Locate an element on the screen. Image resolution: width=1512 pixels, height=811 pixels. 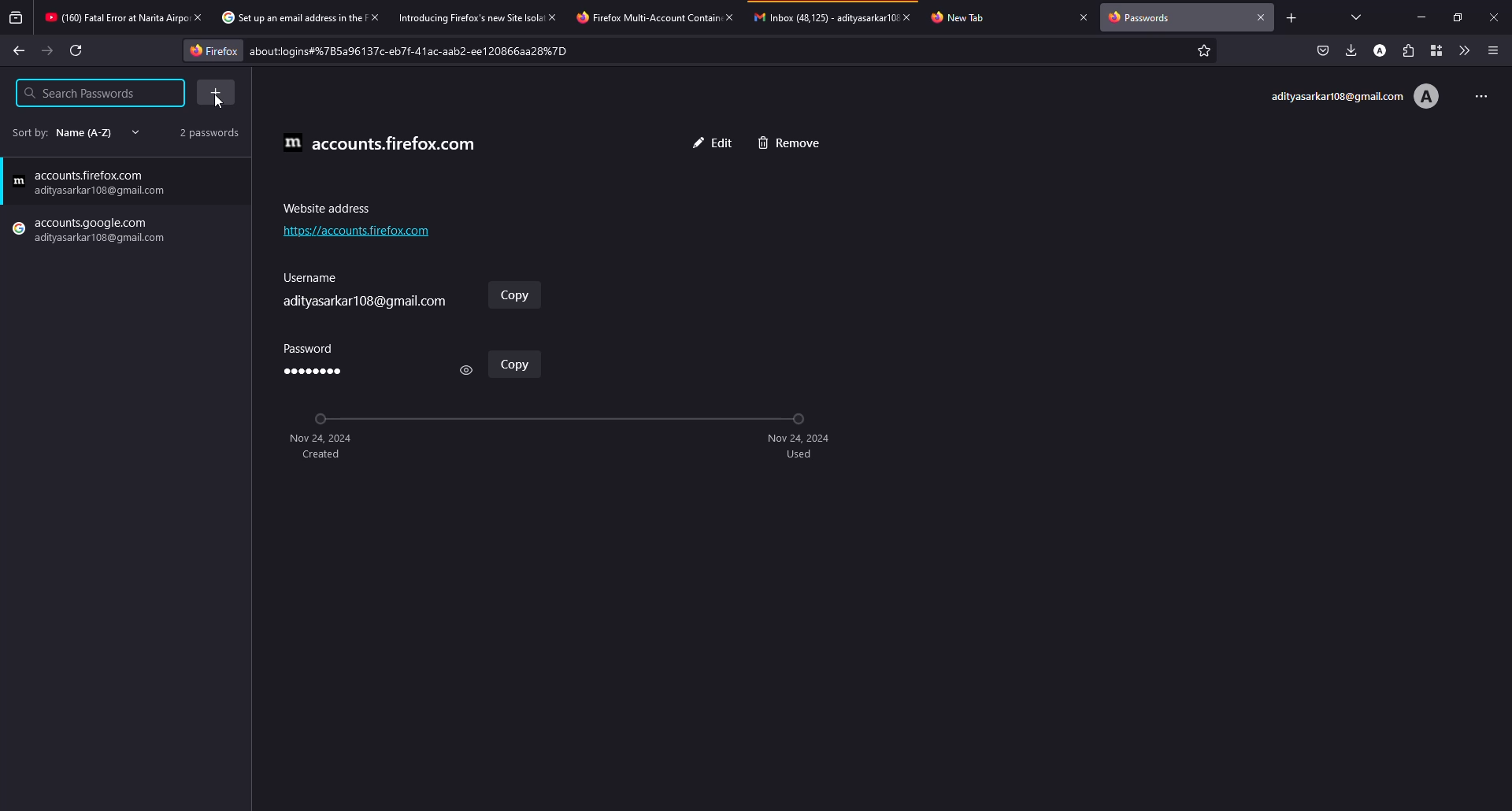
container is located at coordinates (1432, 50).